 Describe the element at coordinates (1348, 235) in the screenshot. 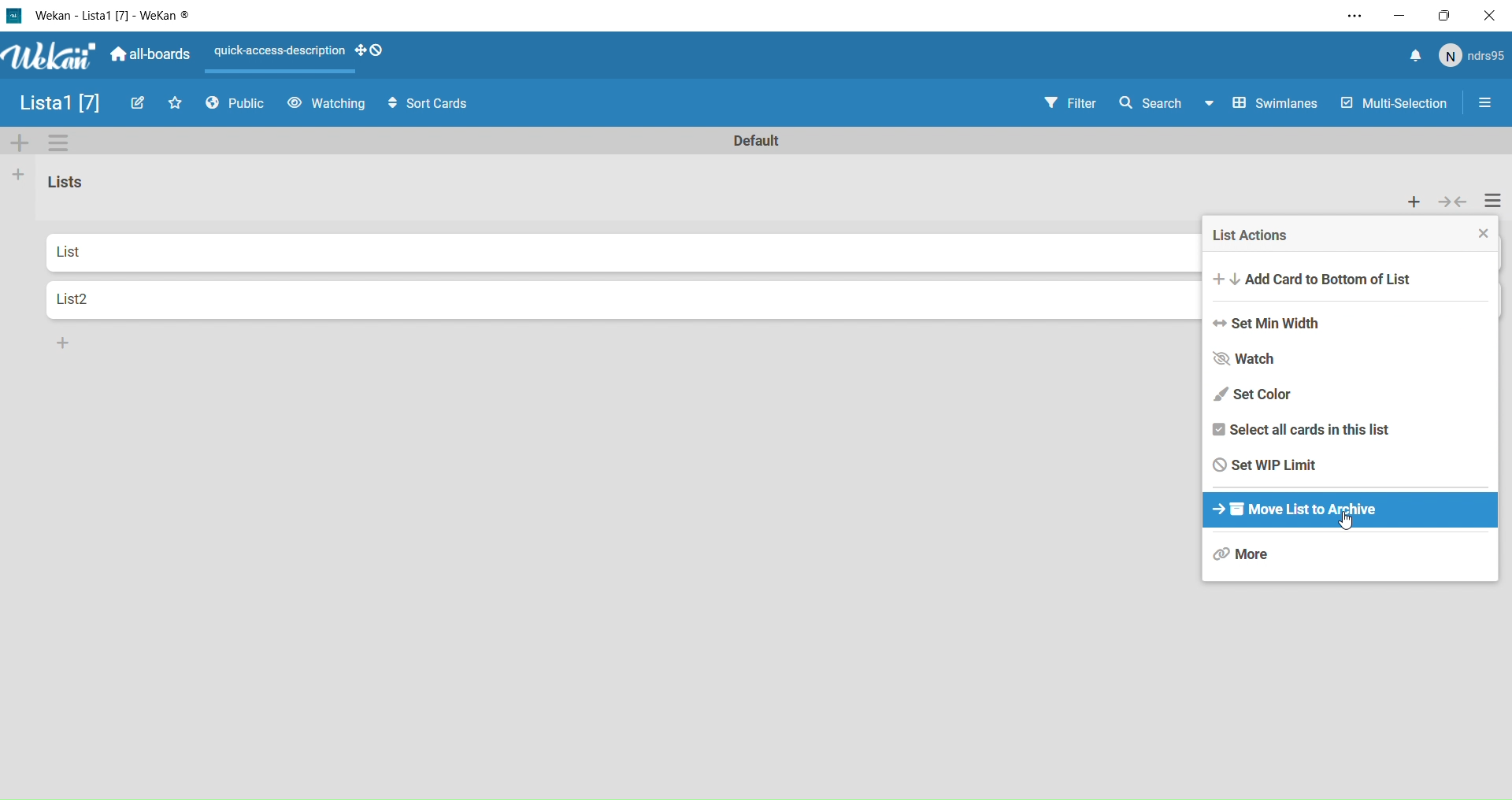

I see `List Actions` at that location.